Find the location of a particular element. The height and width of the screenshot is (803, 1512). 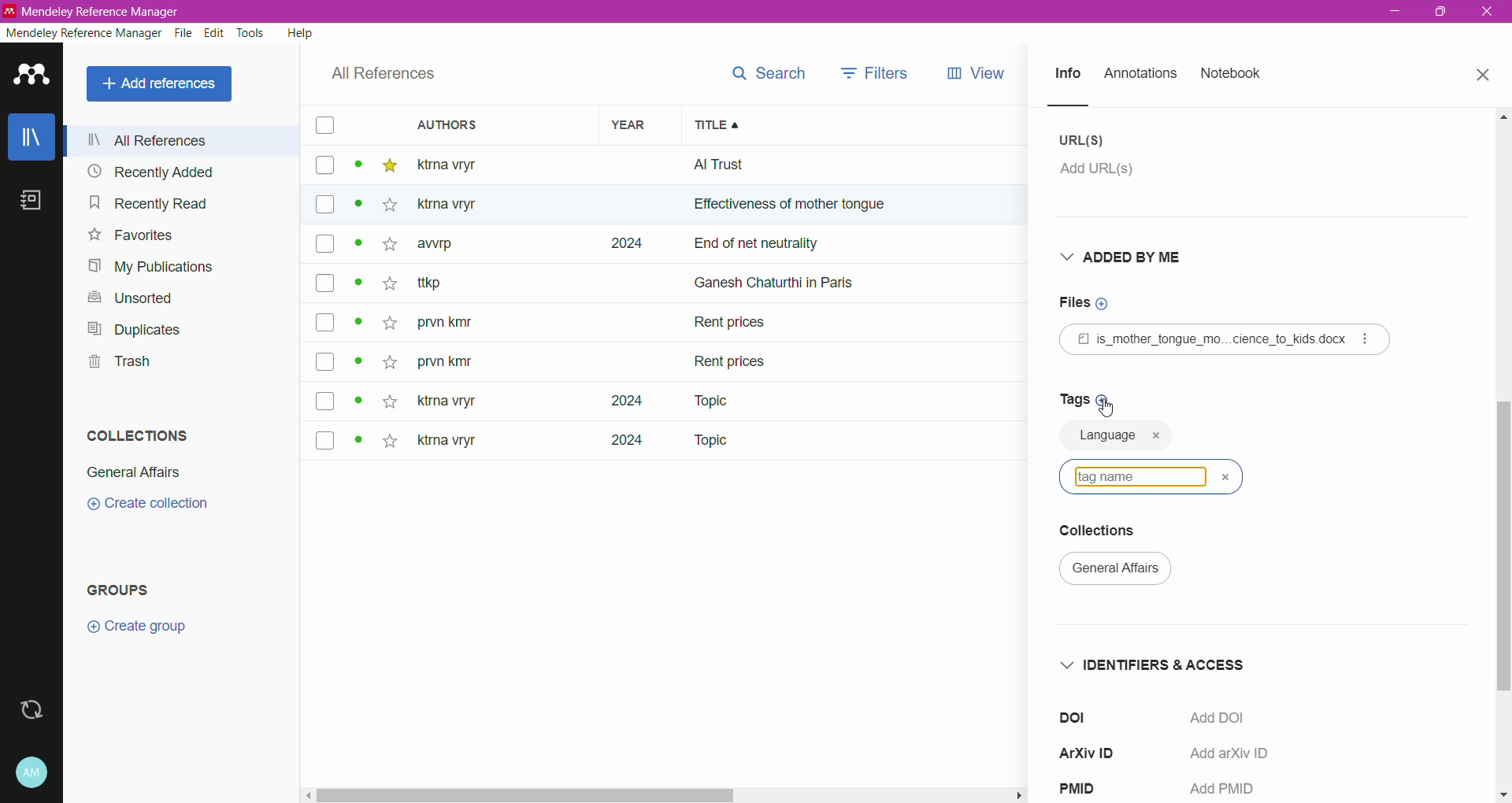

Info is located at coordinates (1066, 75).